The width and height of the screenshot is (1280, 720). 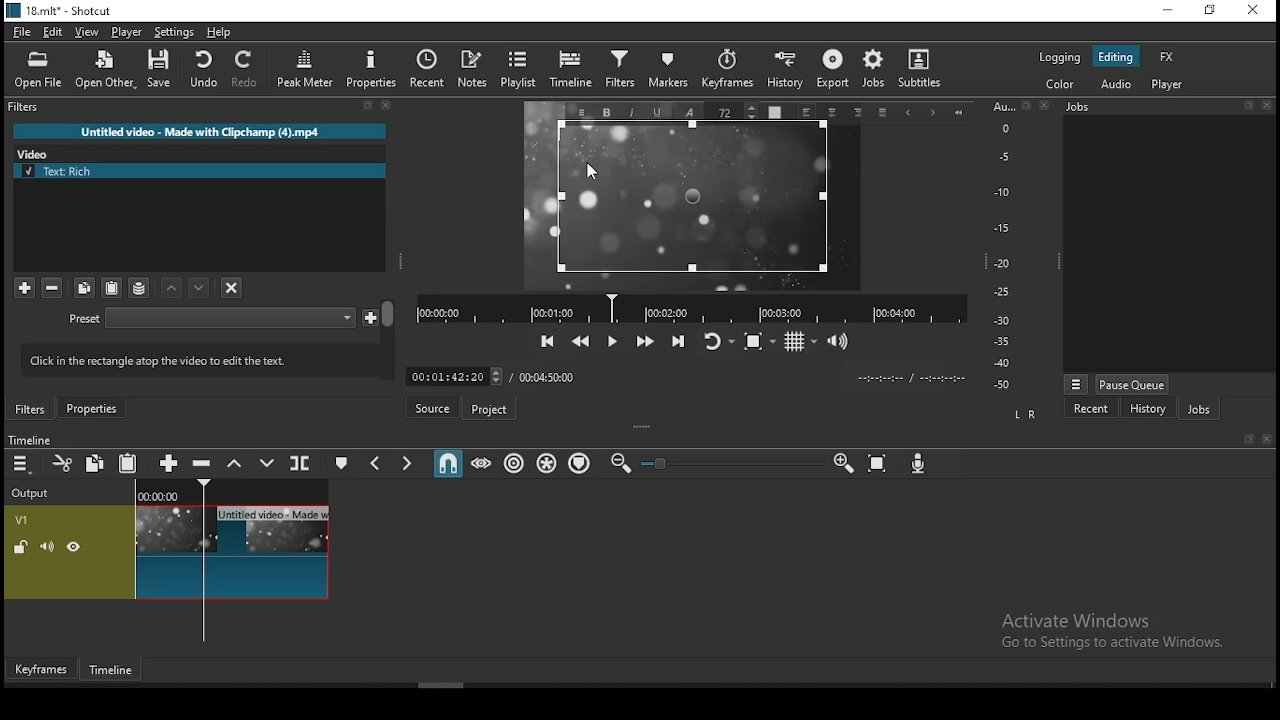 What do you see at coordinates (203, 69) in the screenshot?
I see `undo` at bounding box center [203, 69].